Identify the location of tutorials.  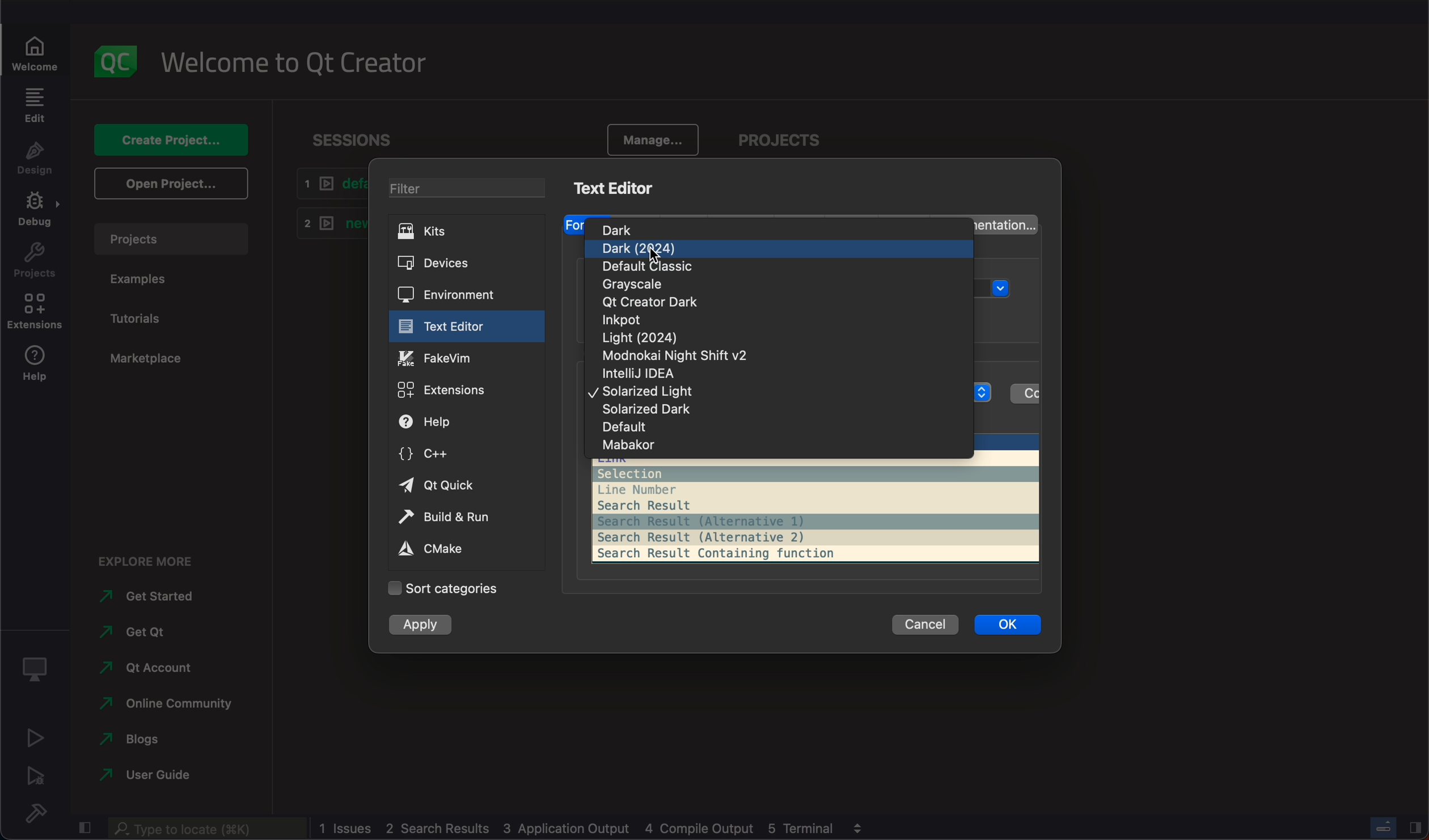
(141, 321).